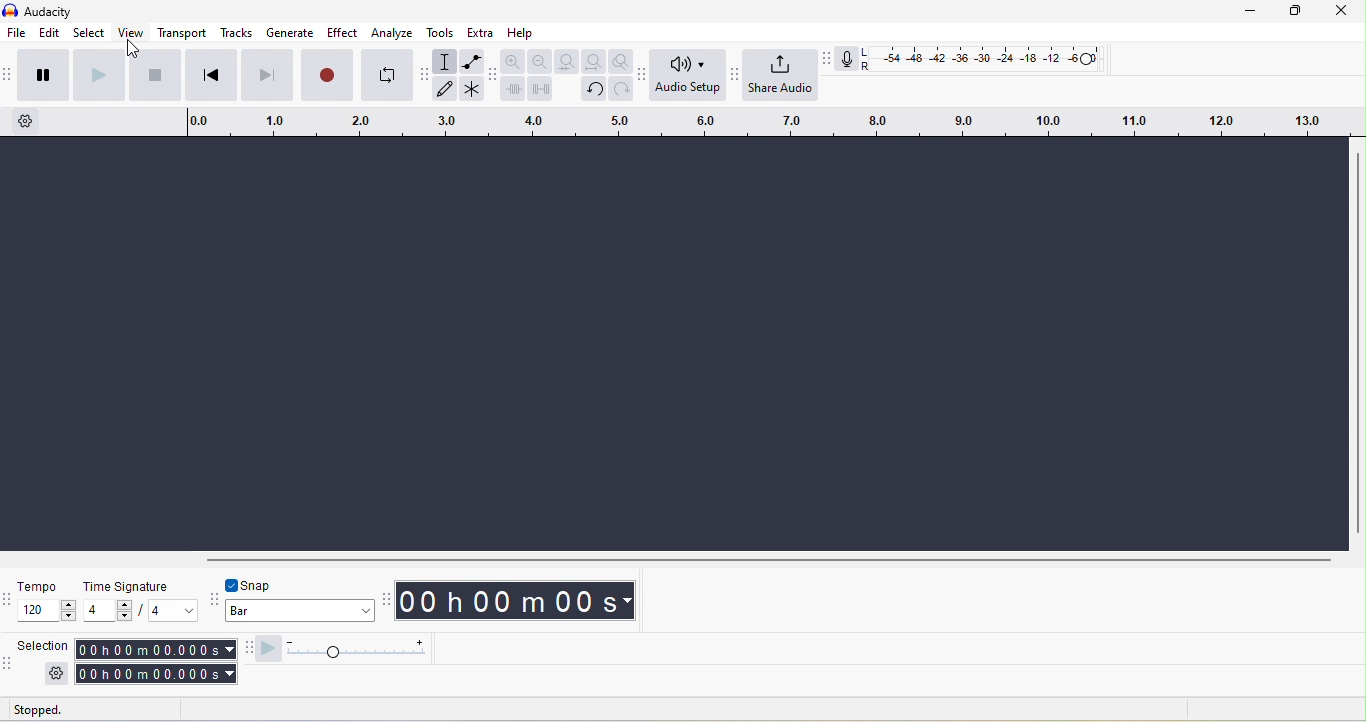 The height and width of the screenshot is (722, 1366). What do you see at coordinates (131, 32) in the screenshot?
I see `view` at bounding box center [131, 32].